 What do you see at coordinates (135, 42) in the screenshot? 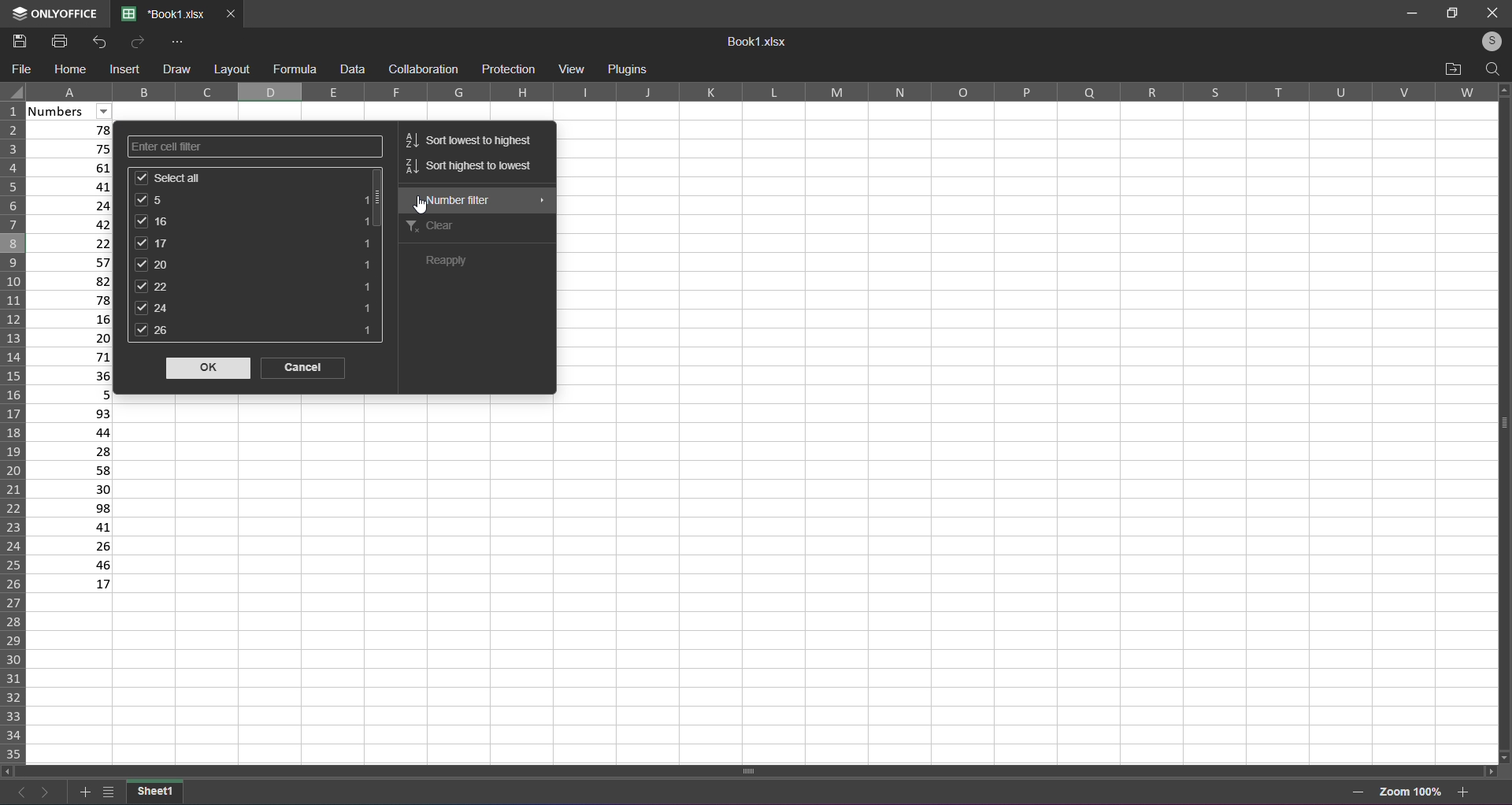
I see `redo` at bounding box center [135, 42].